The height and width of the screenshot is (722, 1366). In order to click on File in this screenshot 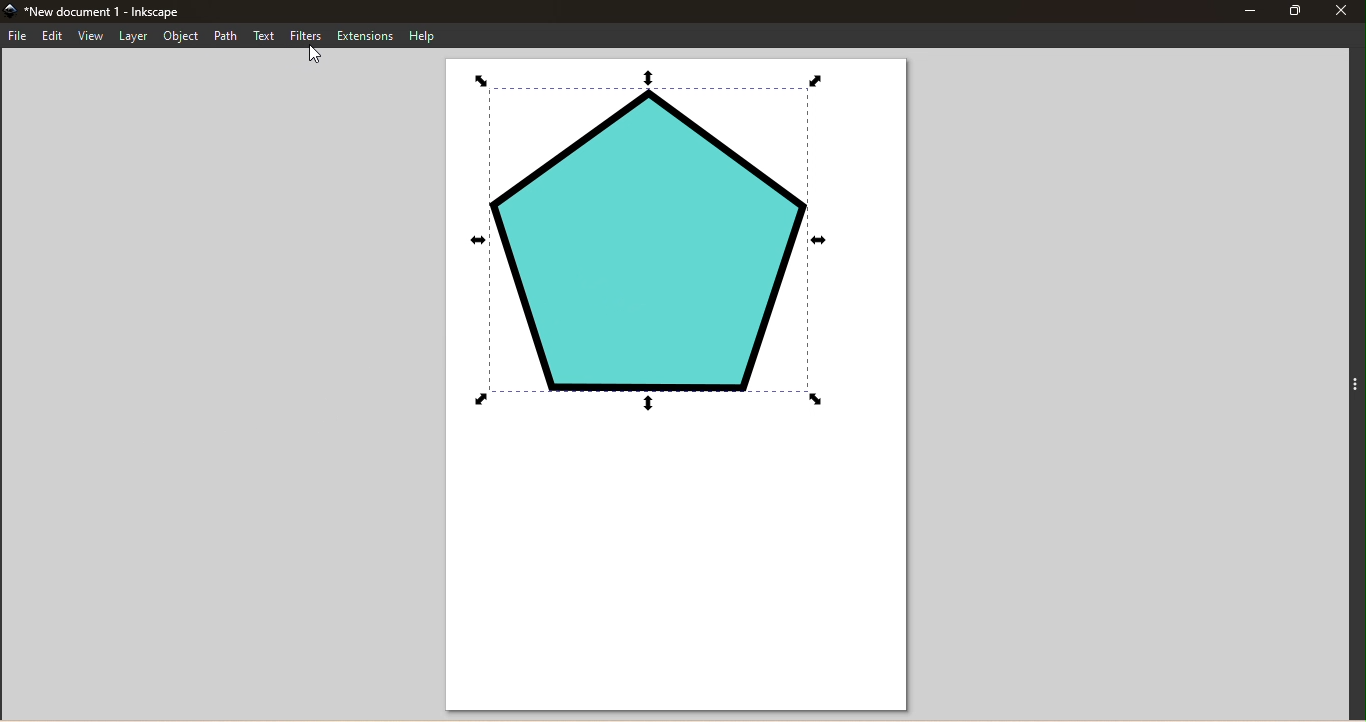, I will do `click(18, 37)`.